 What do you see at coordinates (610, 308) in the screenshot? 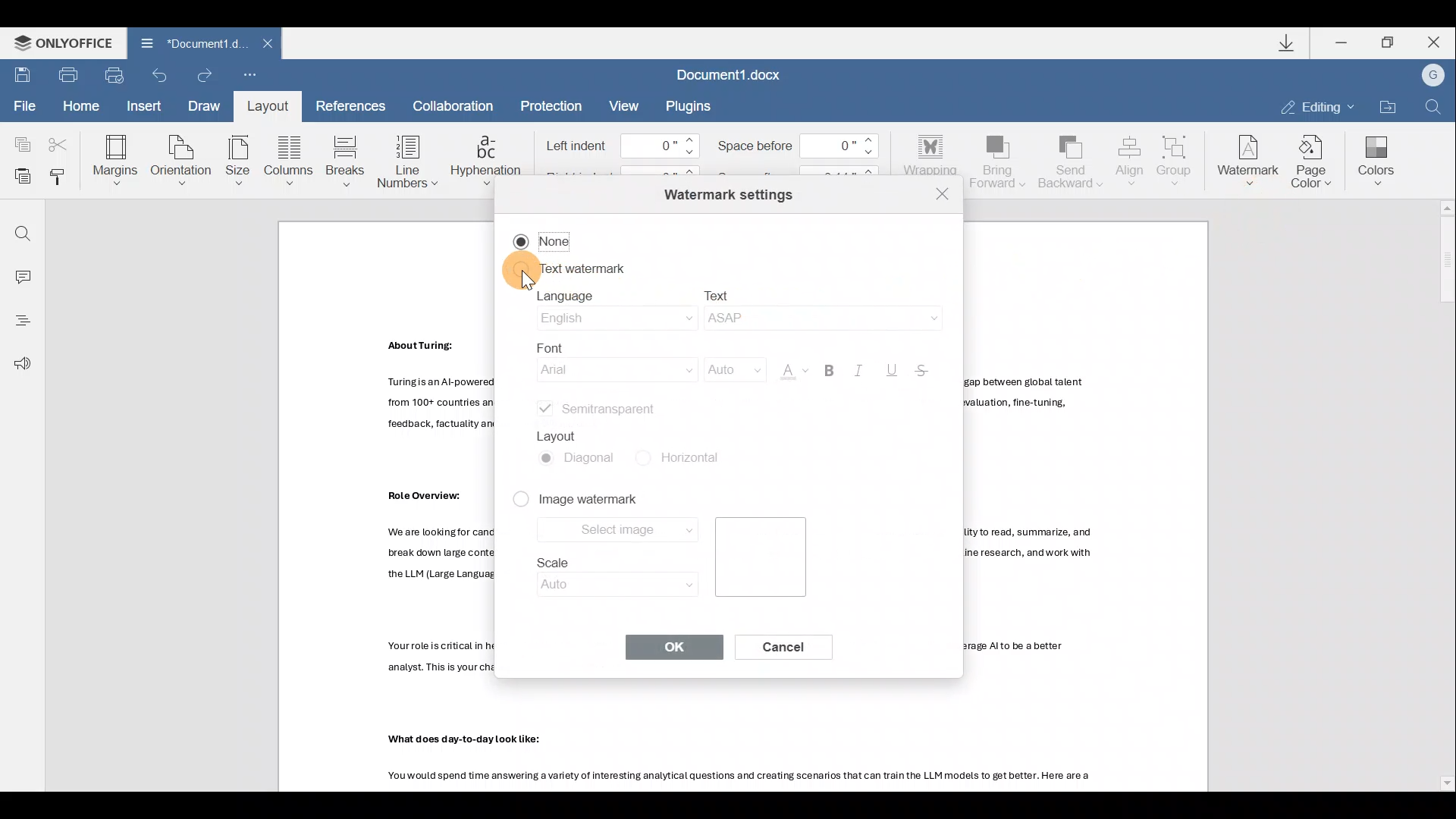
I see `Language` at bounding box center [610, 308].